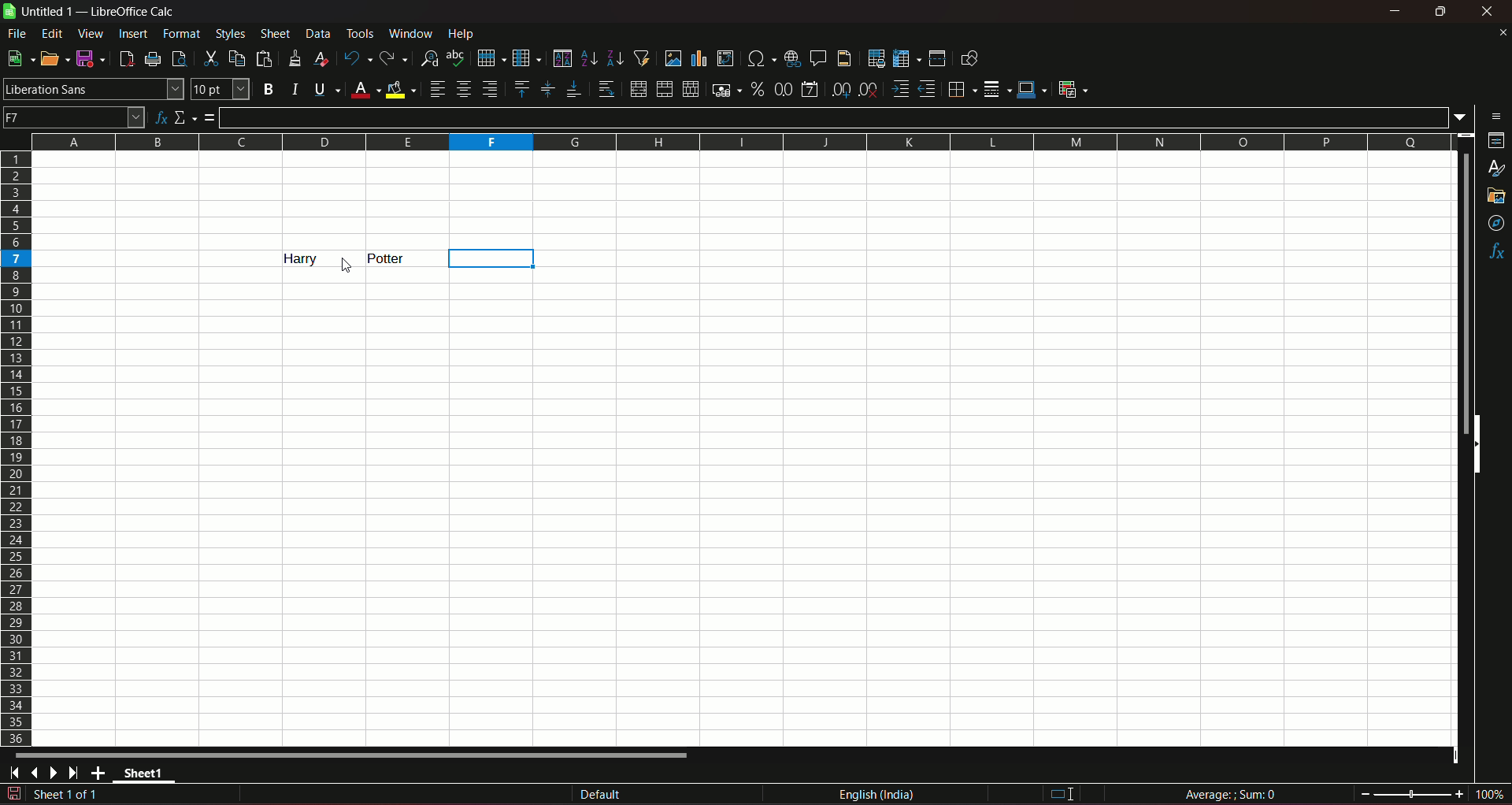 This screenshot has width=1512, height=805. I want to click on format as currency, so click(725, 90).